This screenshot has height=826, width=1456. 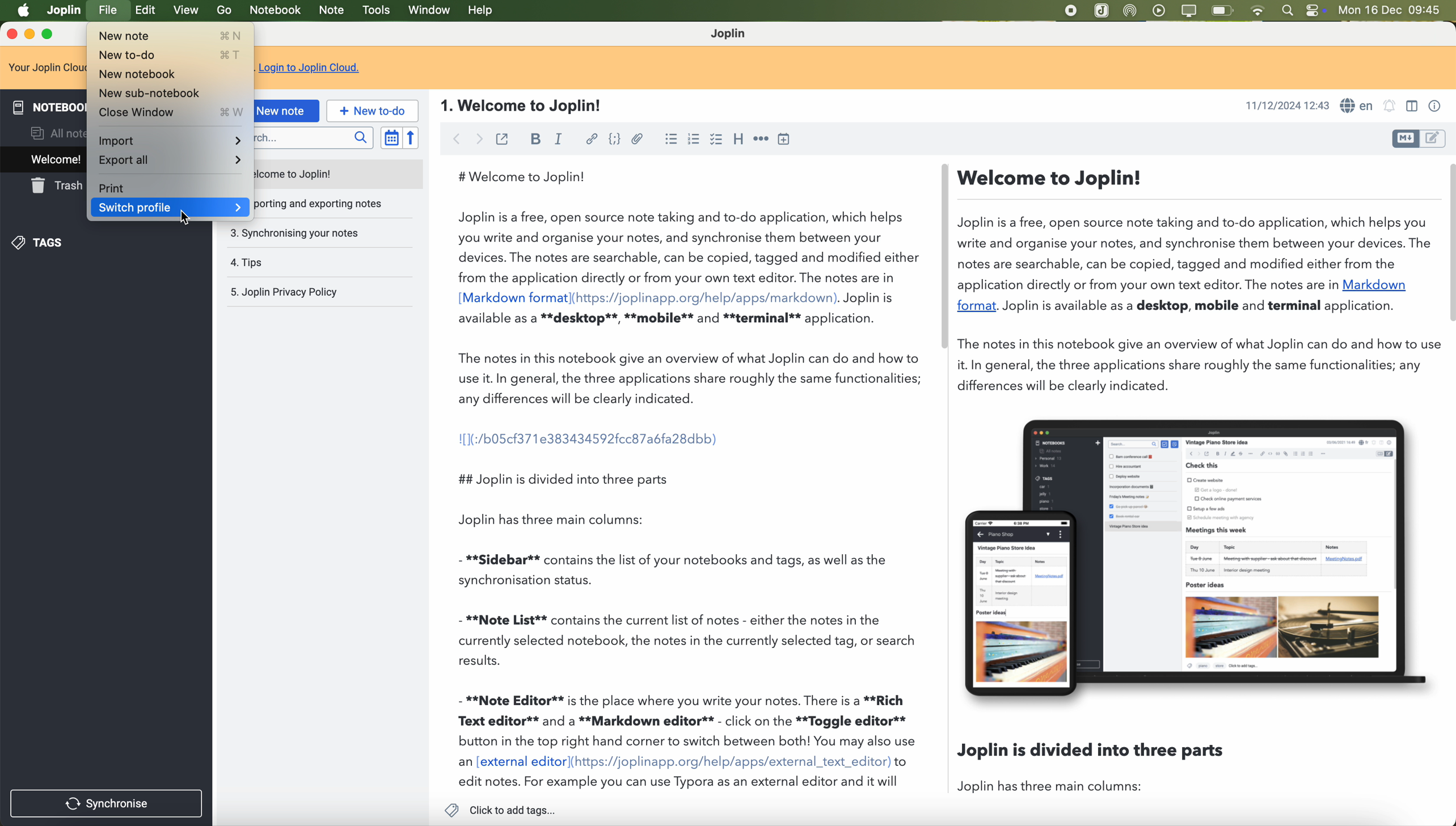 I want to click on  close program, so click(x=10, y=34).